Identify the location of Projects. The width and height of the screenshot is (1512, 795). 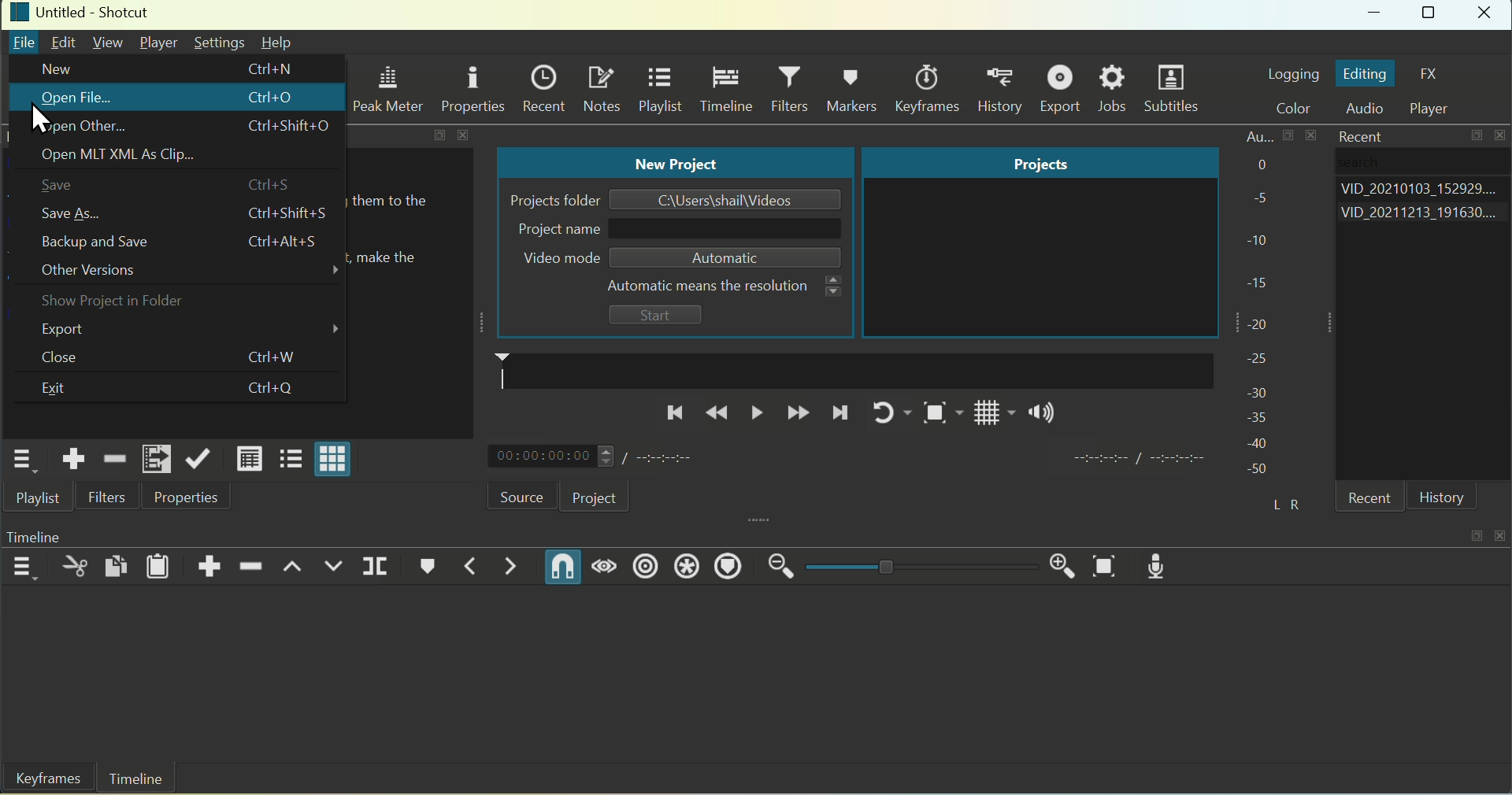
(1039, 163).